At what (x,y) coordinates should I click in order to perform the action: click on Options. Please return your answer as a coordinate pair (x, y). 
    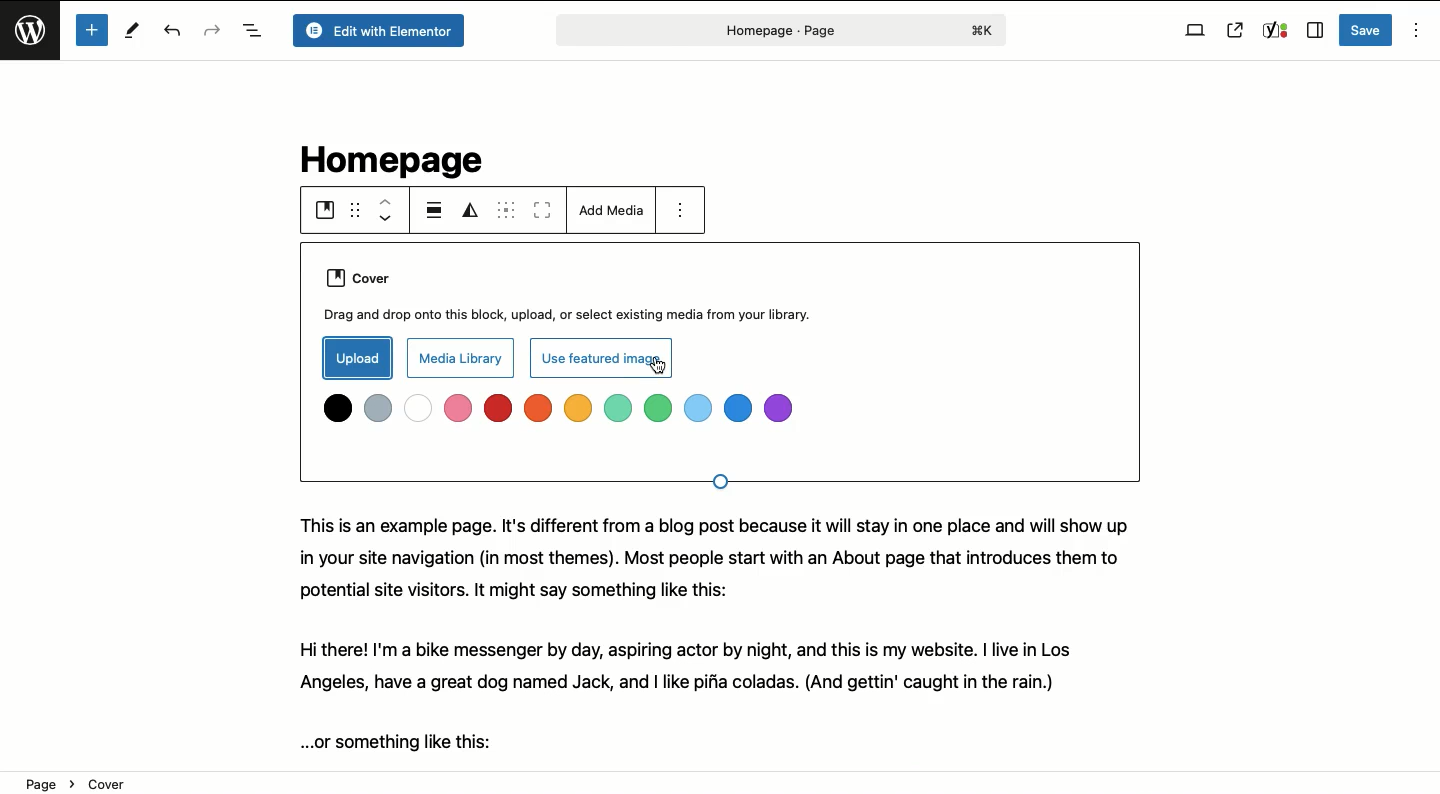
    Looking at the image, I should click on (683, 212).